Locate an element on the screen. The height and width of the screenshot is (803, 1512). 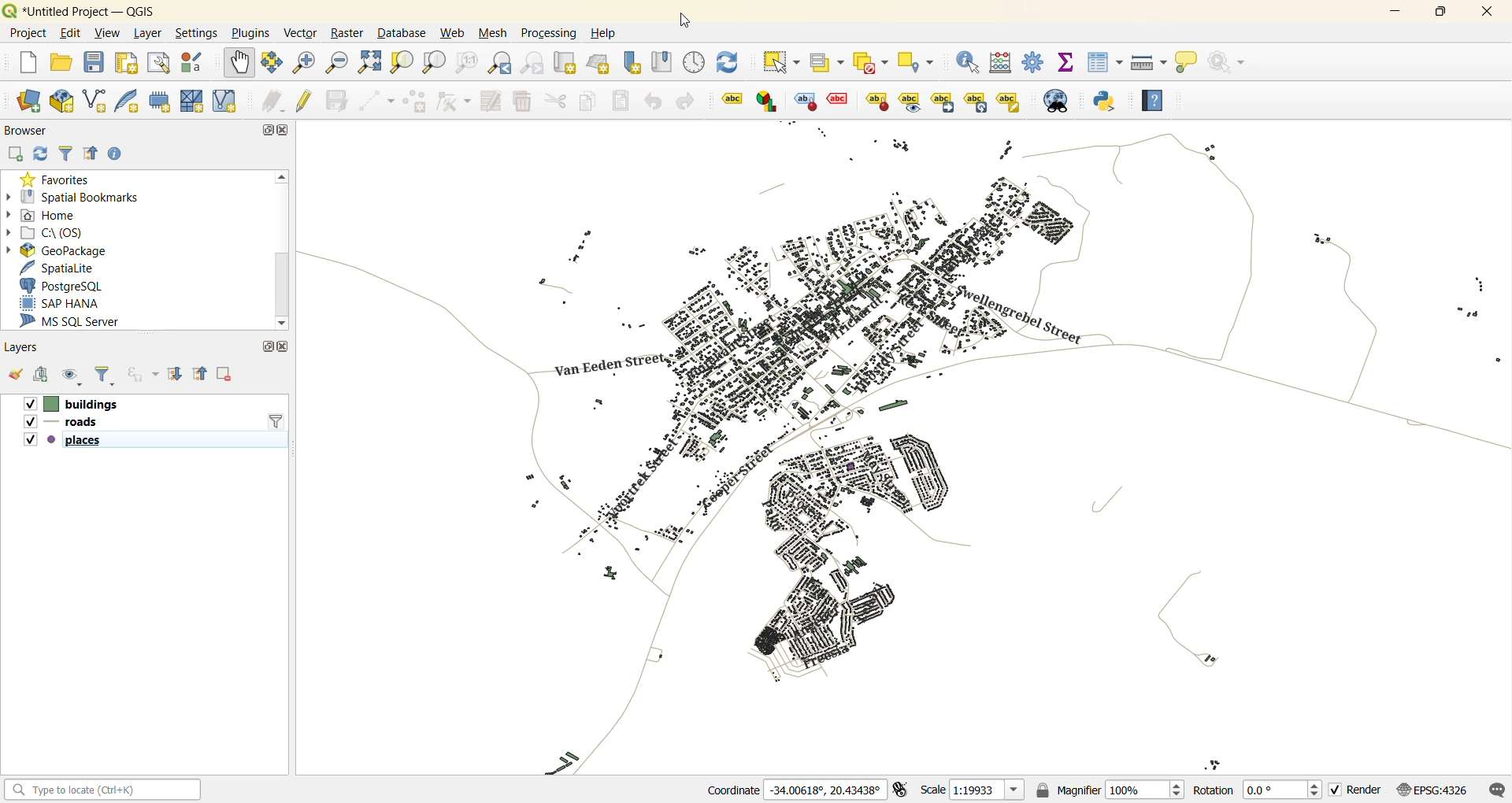
scroll down is located at coordinates (282, 324).